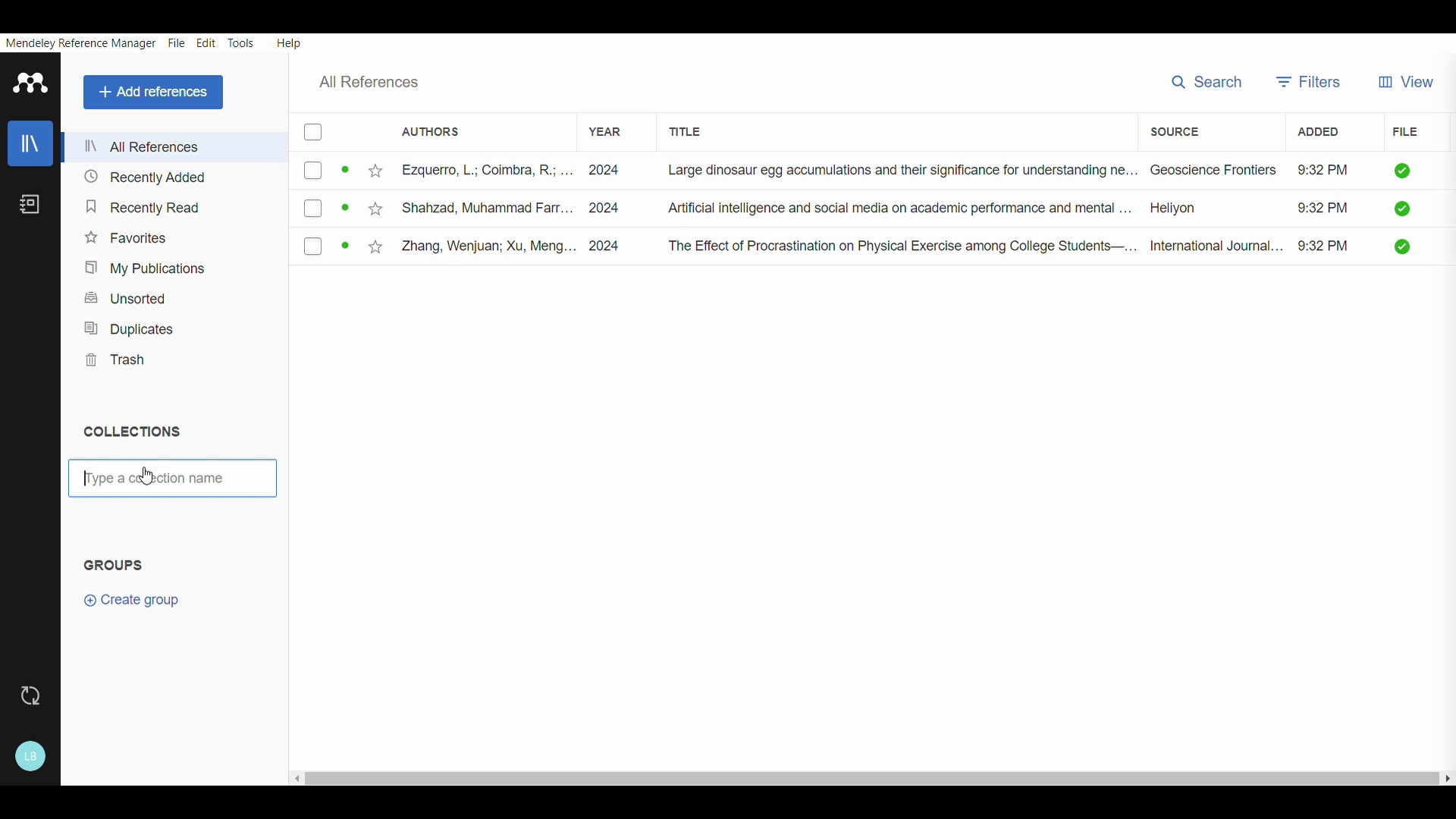 This screenshot has width=1456, height=819. I want to click on Shahzad, Muhammad Farr., so click(462, 206).